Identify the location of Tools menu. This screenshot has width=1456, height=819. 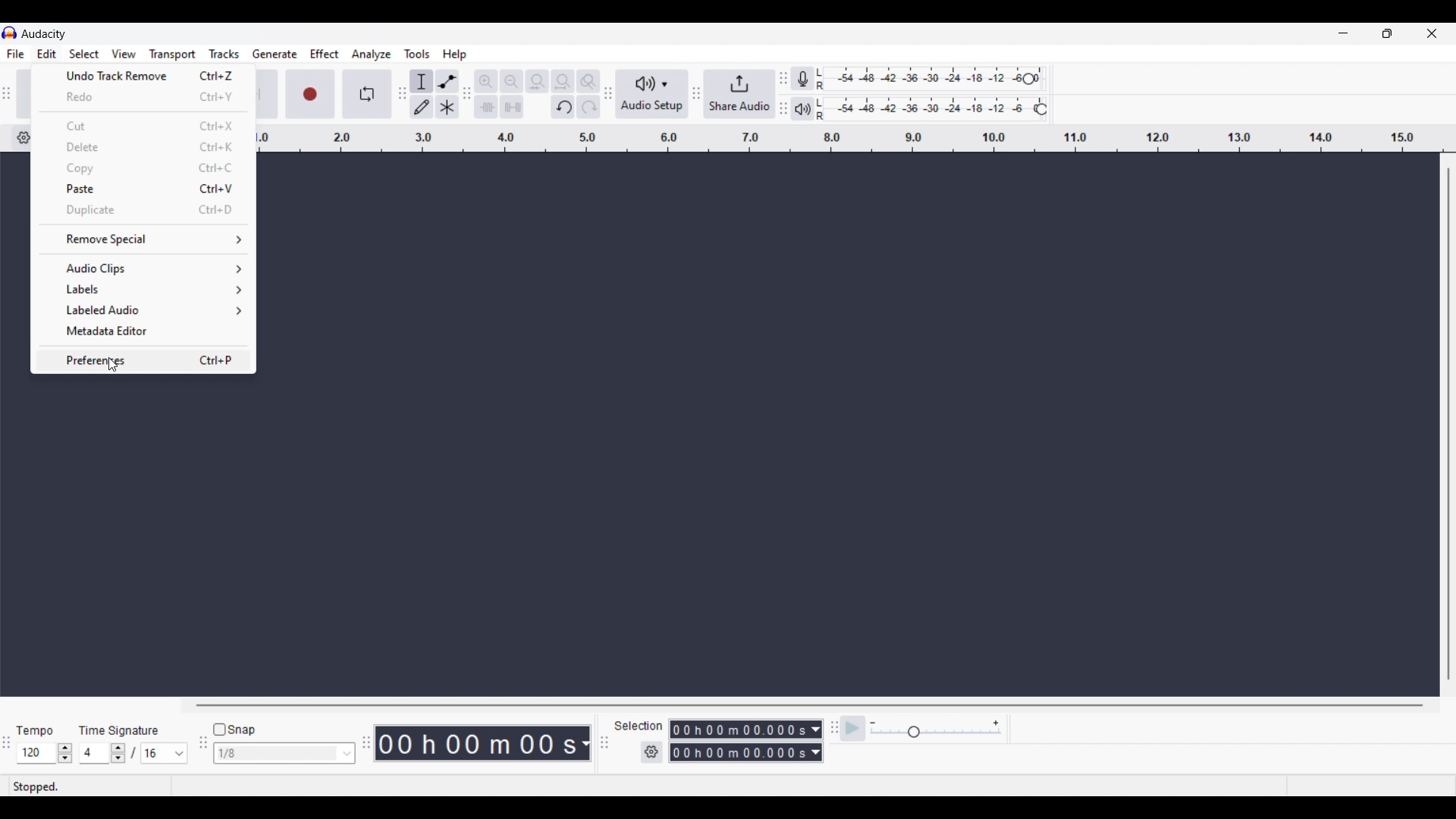
(417, 54).